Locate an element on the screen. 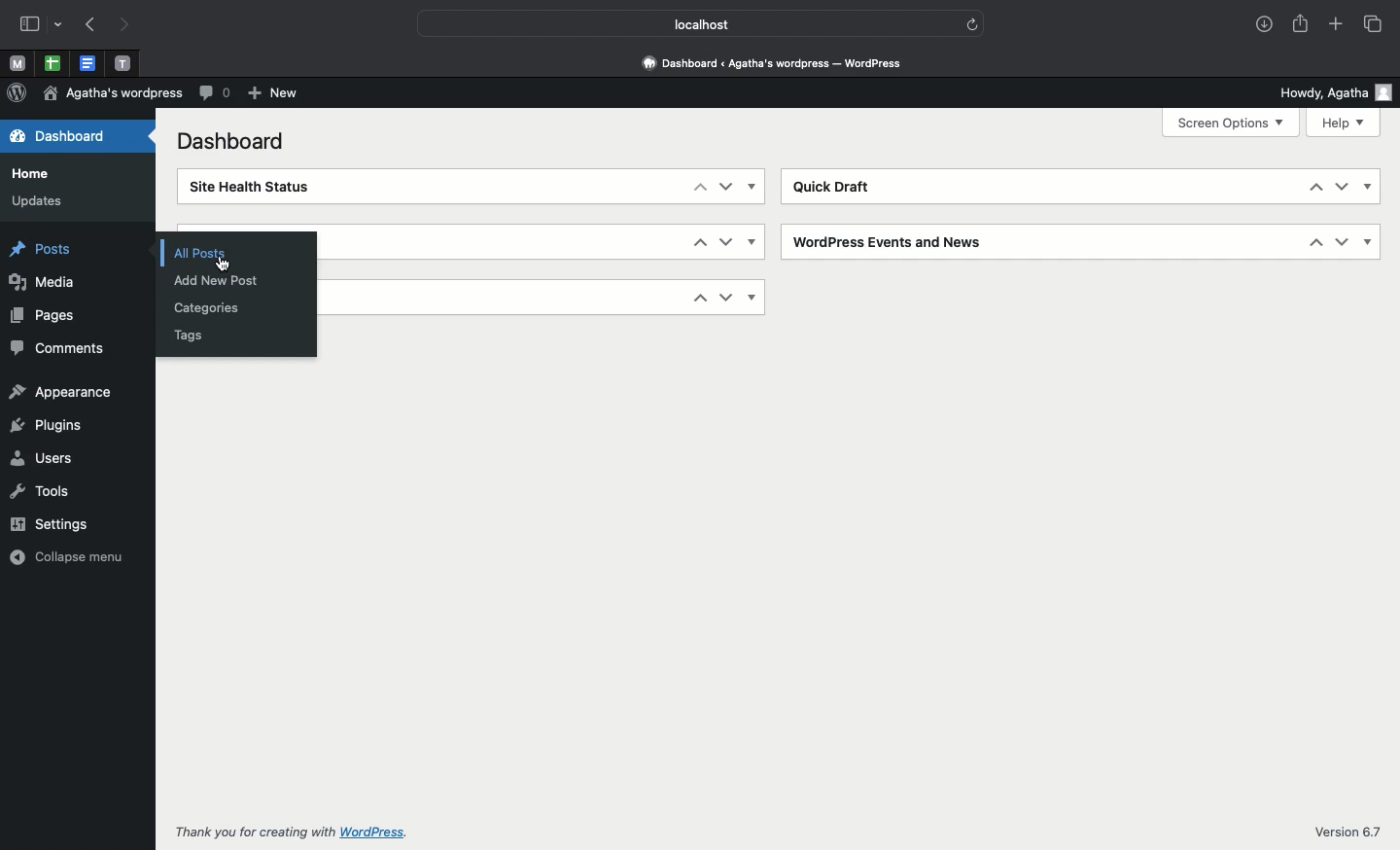 The image size is (1400, 850). Comments is located at coordinates (63, 346).